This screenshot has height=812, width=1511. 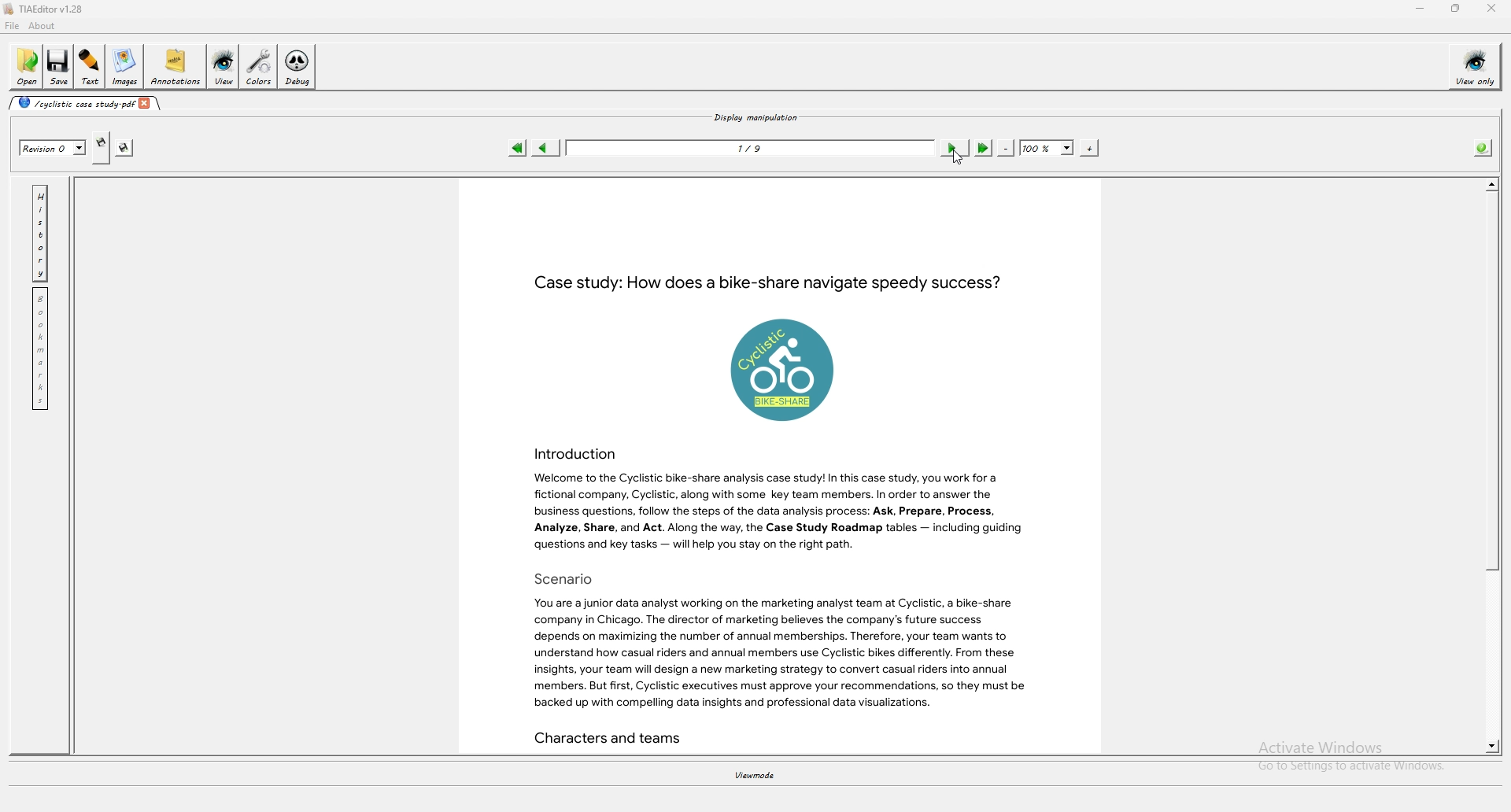 What do you see at coordinates (41, 25) in the screenshot?
I see `about` at bounding box center [41, 25].